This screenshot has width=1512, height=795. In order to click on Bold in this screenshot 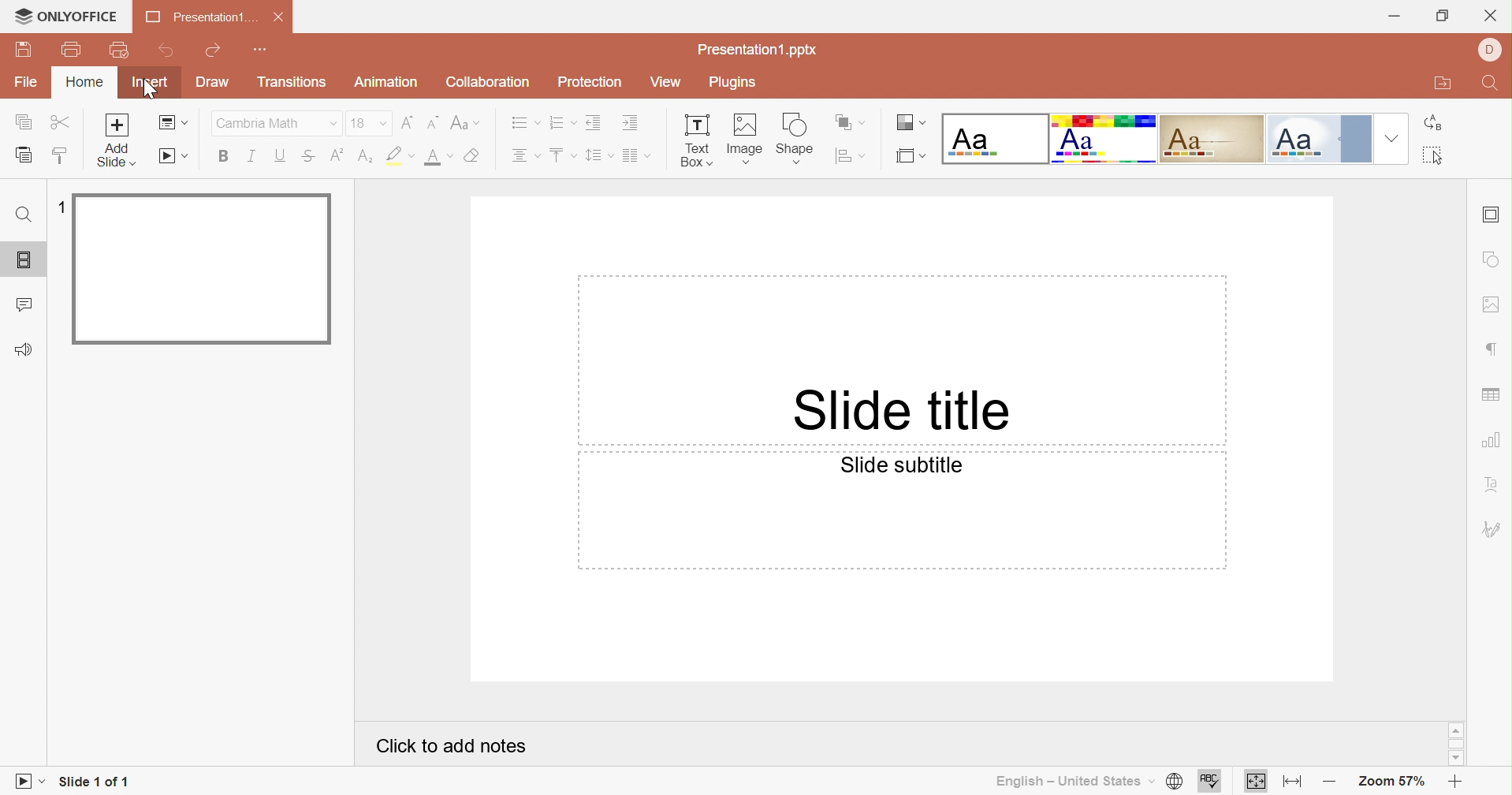, I will do `click(222, 157)`.